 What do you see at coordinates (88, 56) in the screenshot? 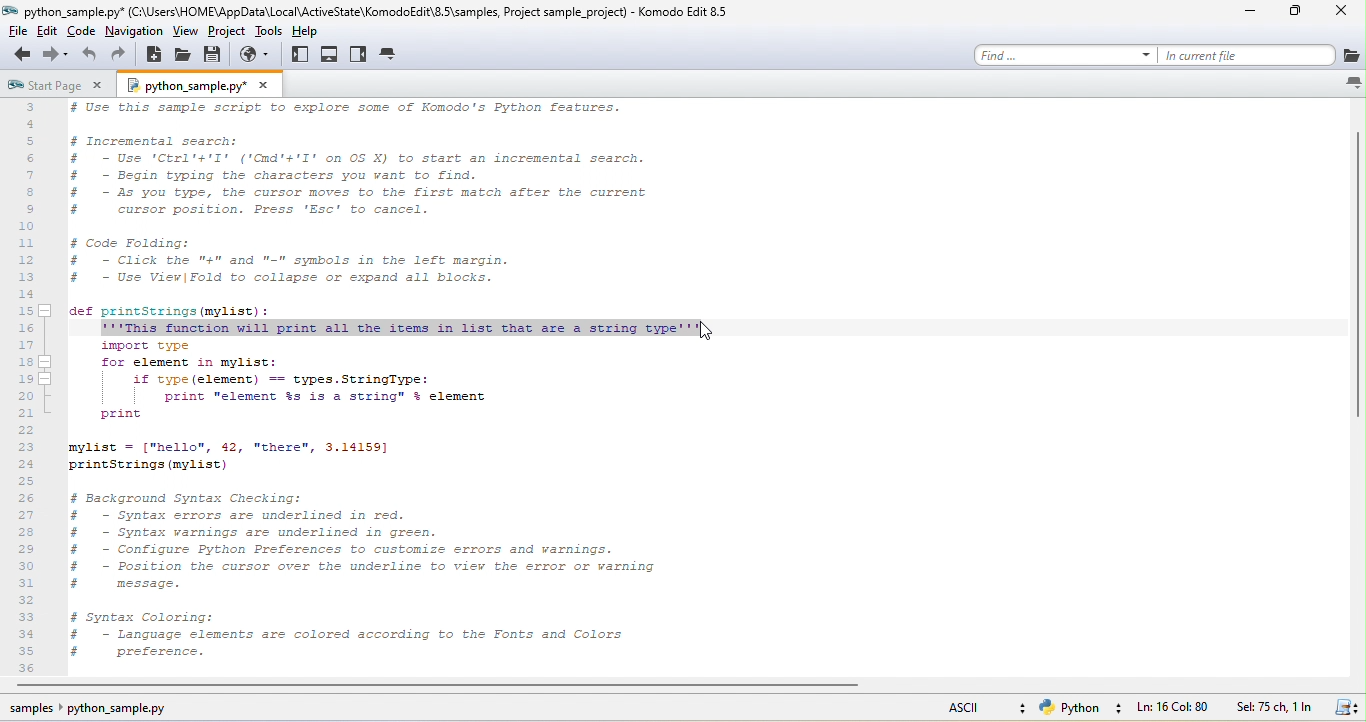
I see `undo` at bounding box center [88, 56].